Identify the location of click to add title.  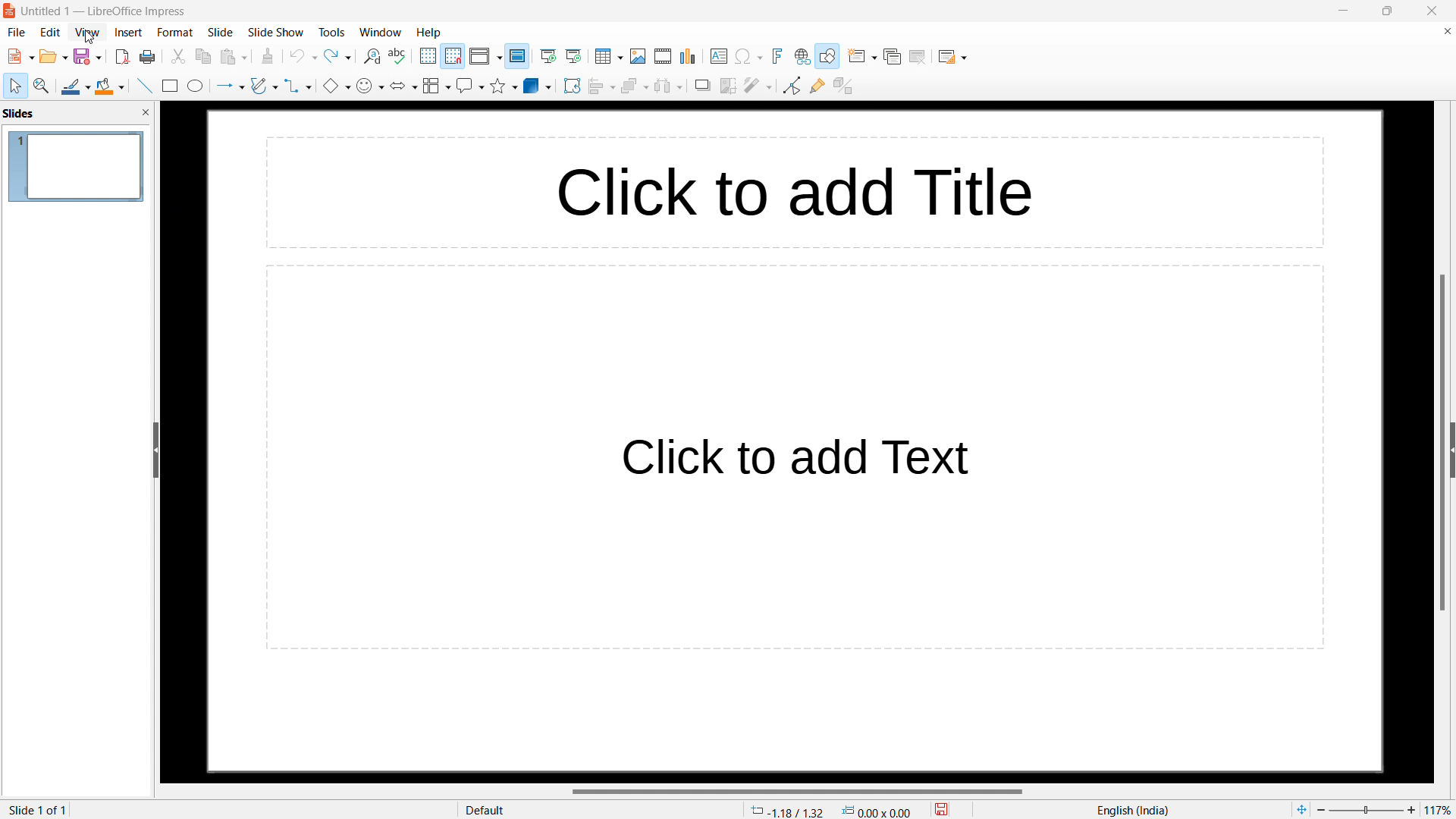
(711, 194).